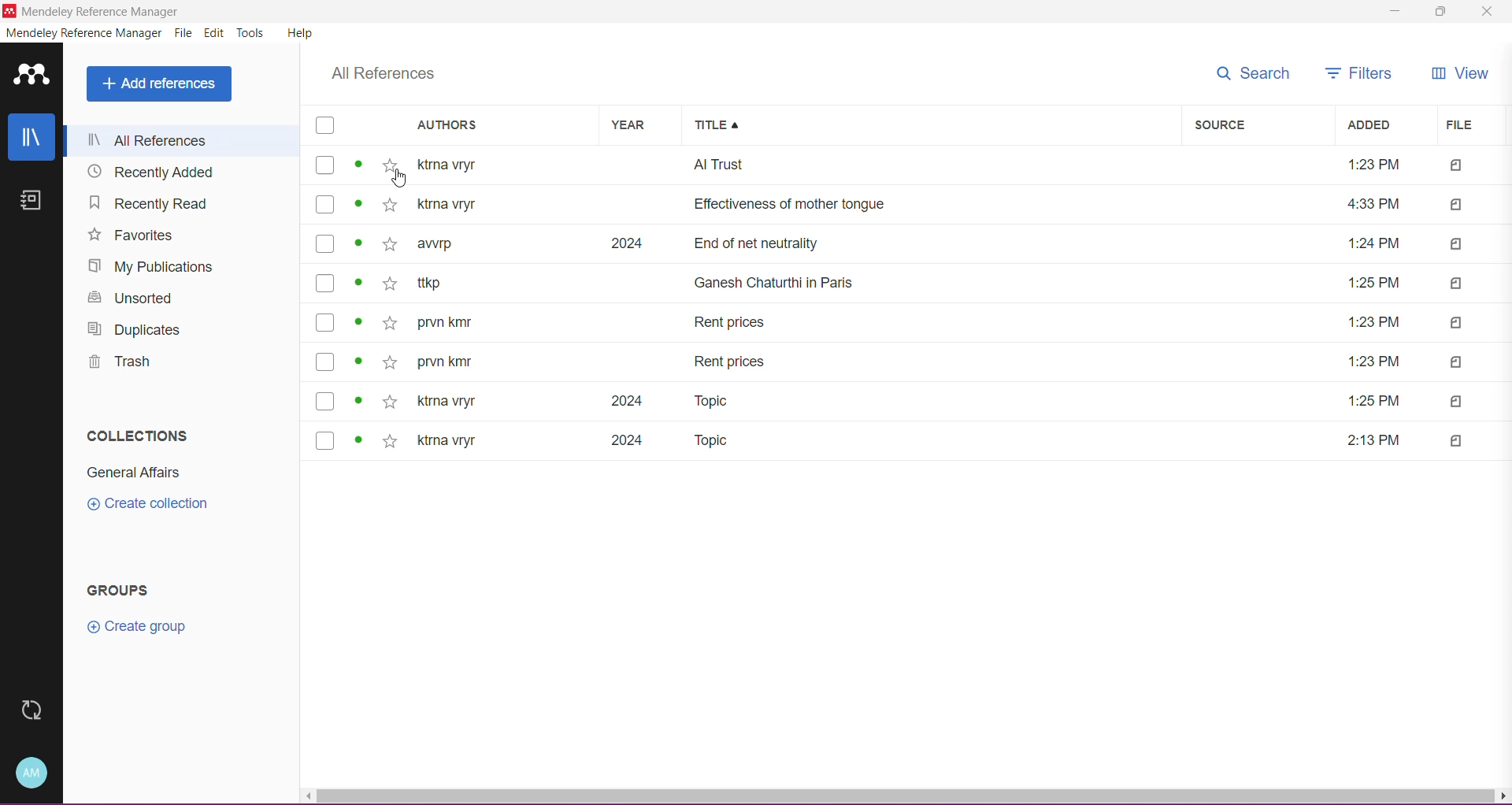  What do you see at coordinates (31, 772) in the screenshot?
I see `Account and Help` at bounding box center [31, 772].